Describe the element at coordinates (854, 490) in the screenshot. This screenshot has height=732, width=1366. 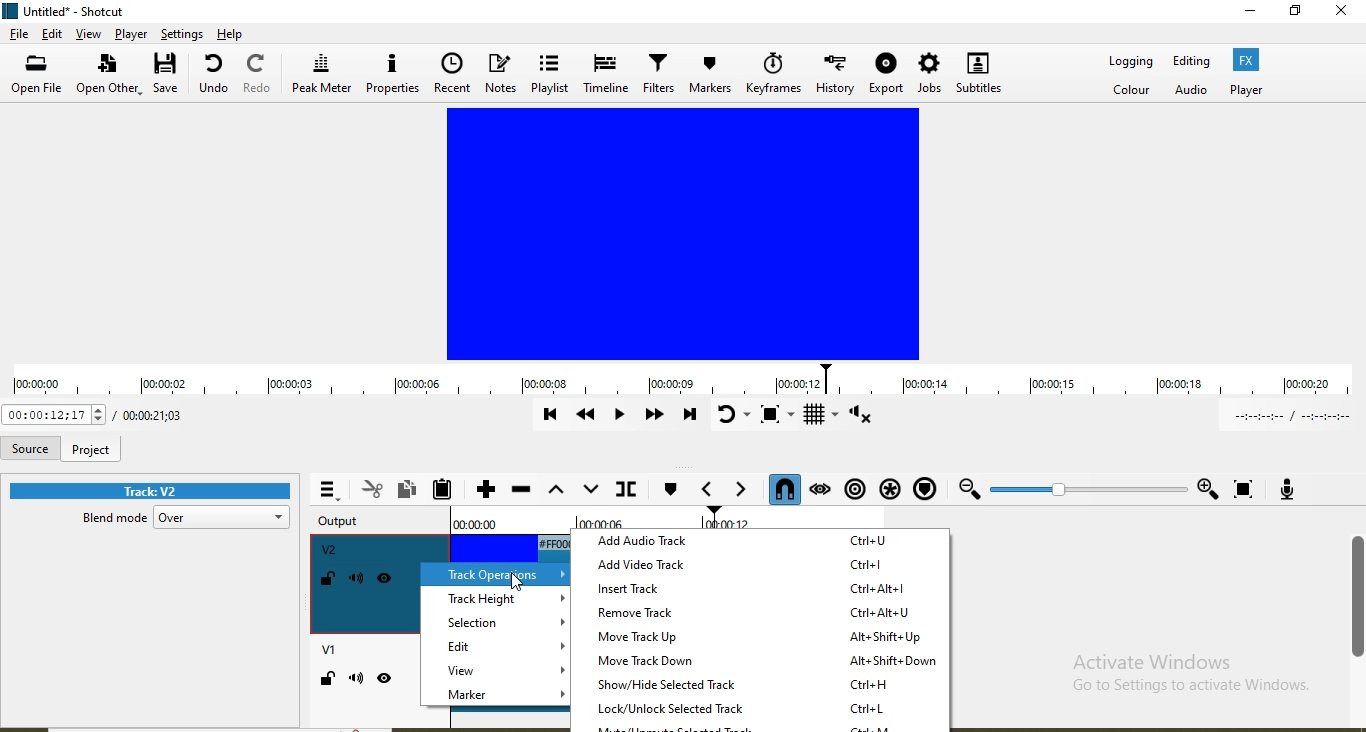
I see `Ripple` at that location.